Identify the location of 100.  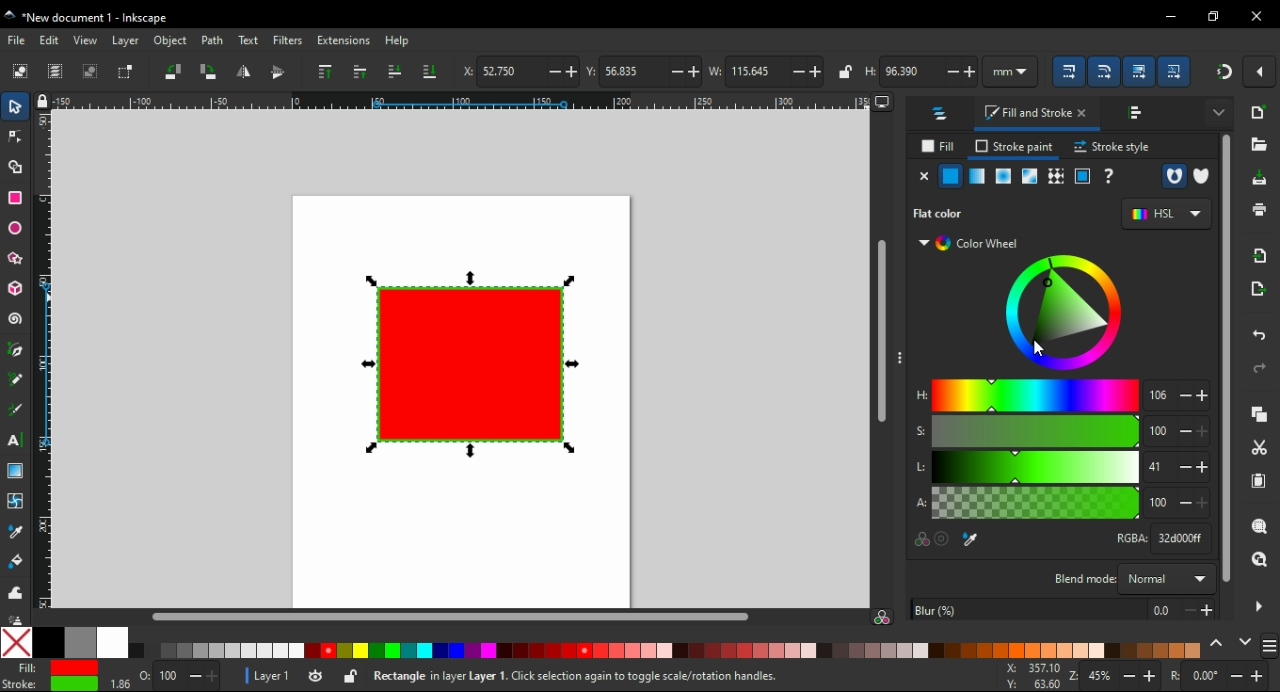
(1161, 504).